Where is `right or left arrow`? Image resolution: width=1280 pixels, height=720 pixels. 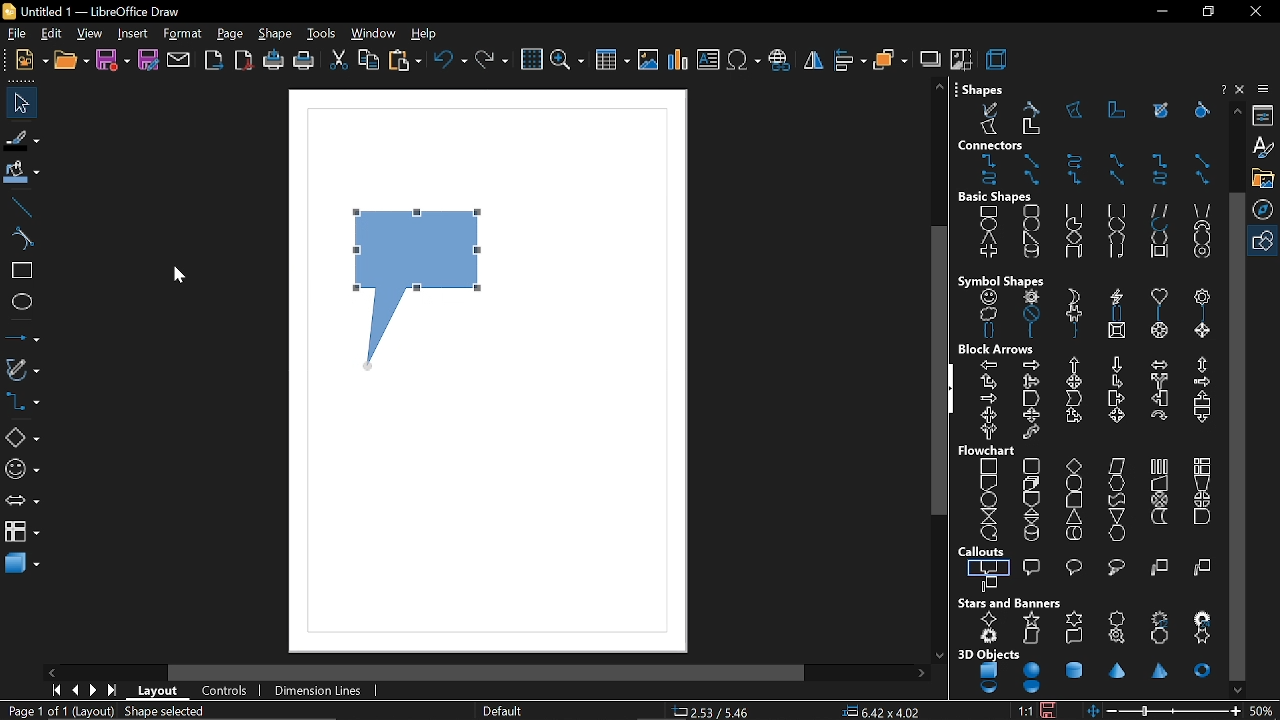 right or left arrow is located at coordinates (986, 432).